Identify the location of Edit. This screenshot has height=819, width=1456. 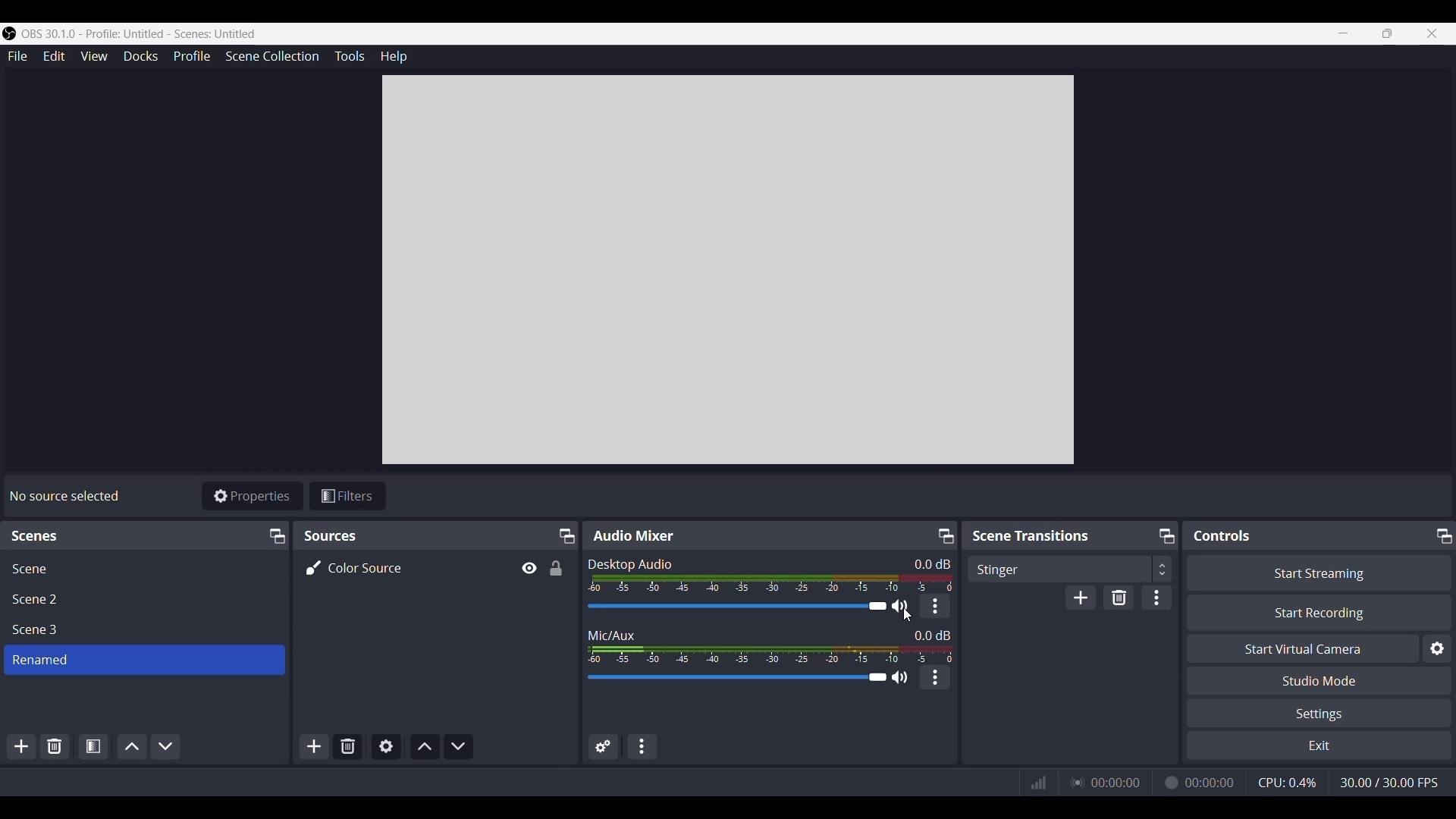
(54, 57).